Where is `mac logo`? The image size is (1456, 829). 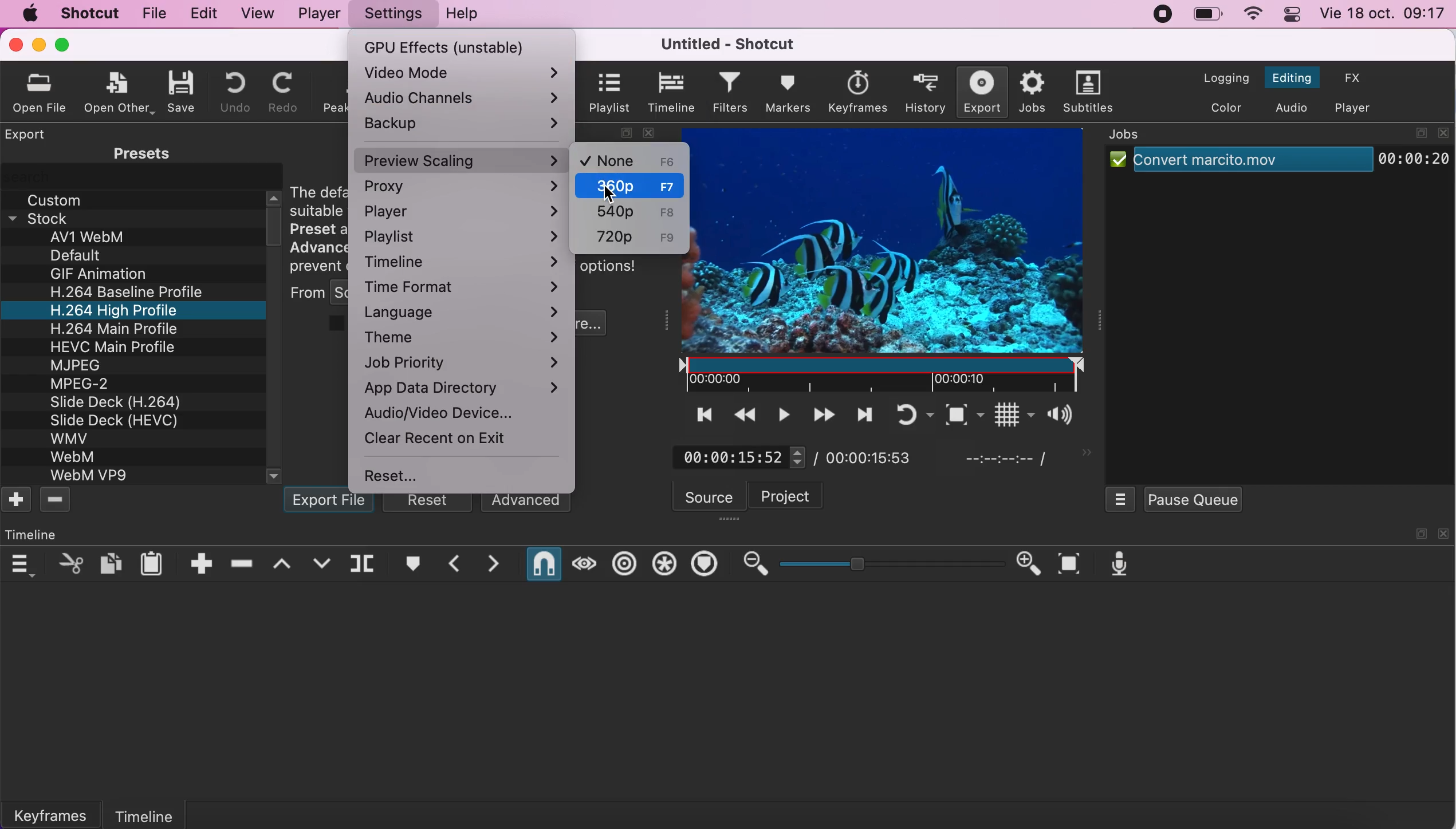
mac logo is located at coordinates (26, 13).